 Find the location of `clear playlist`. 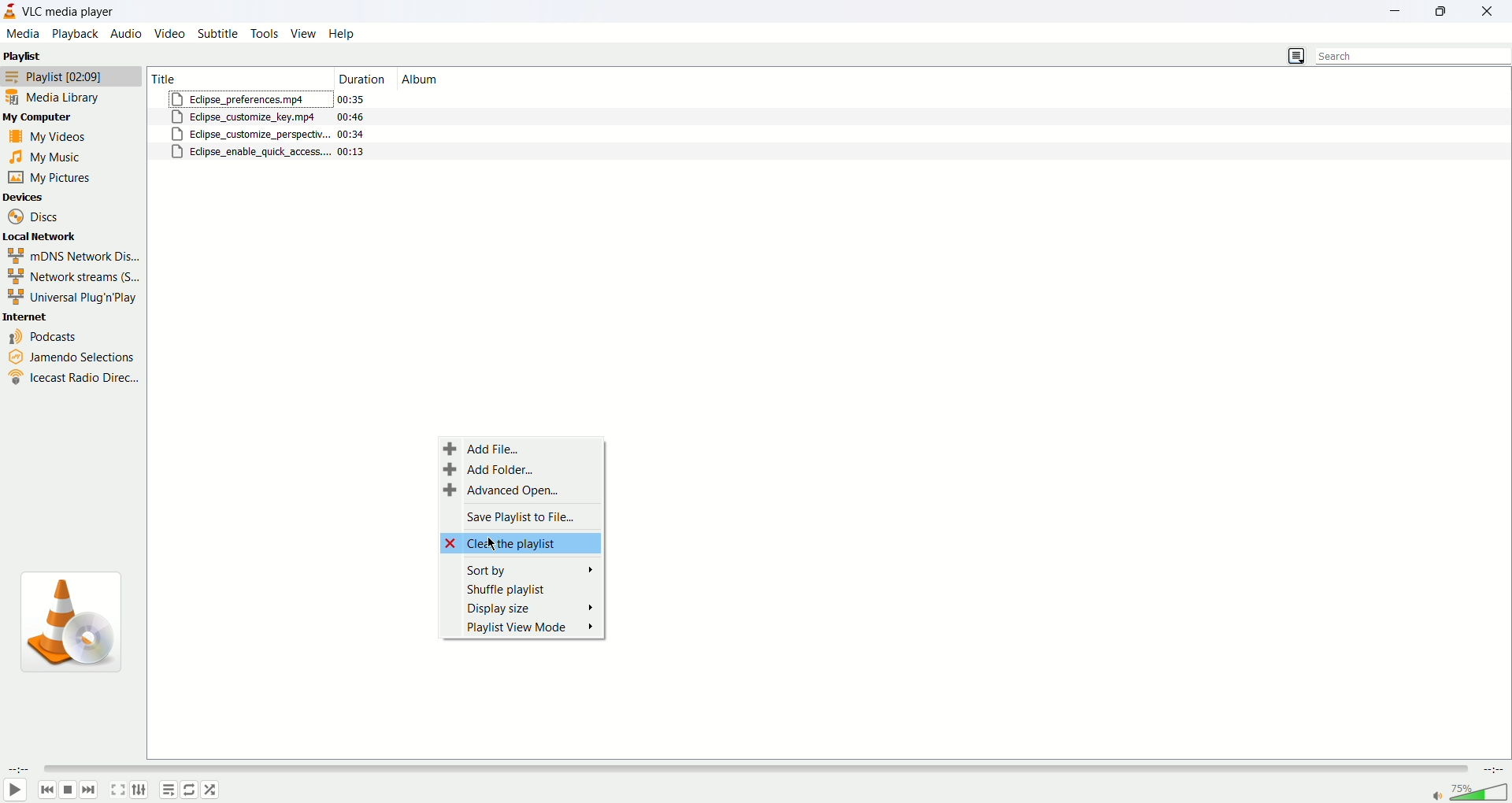

clear playlist is located at coordinates (521, 542).